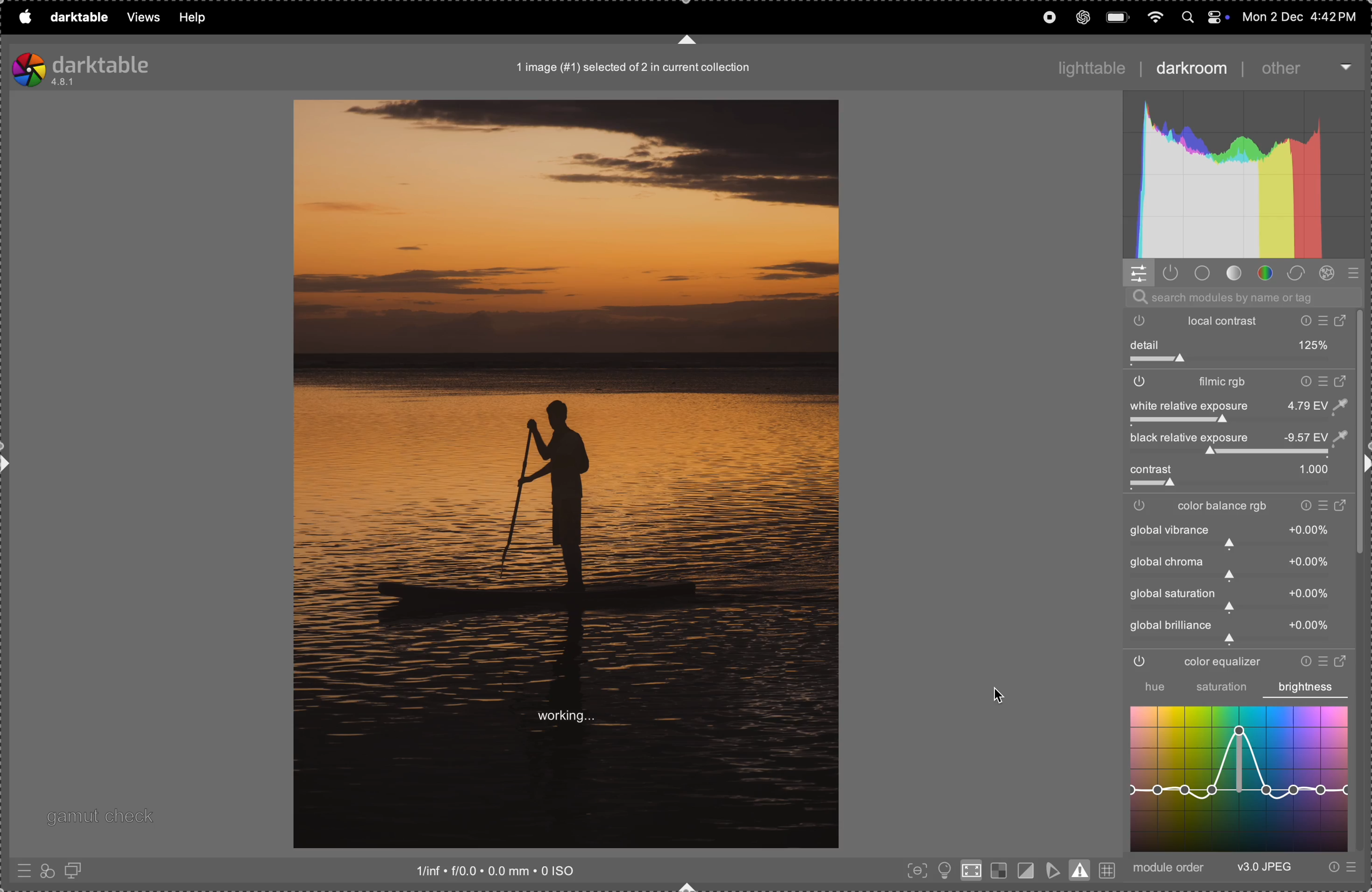  What do you see at coordinates (1203, 273) in the screenshot?
I see `base` at bounding box center [1203, 273].